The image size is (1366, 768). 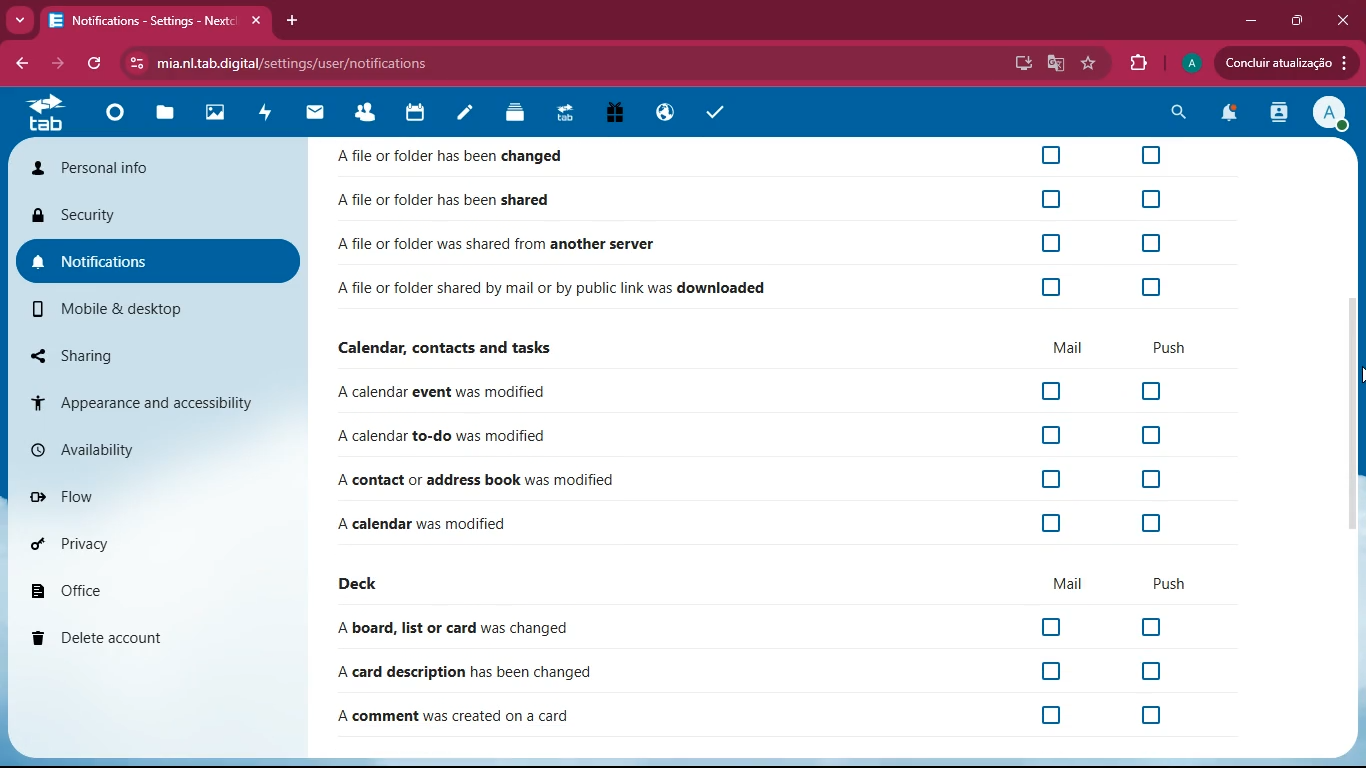 I want to click on off, so click(x=1048, y=522).